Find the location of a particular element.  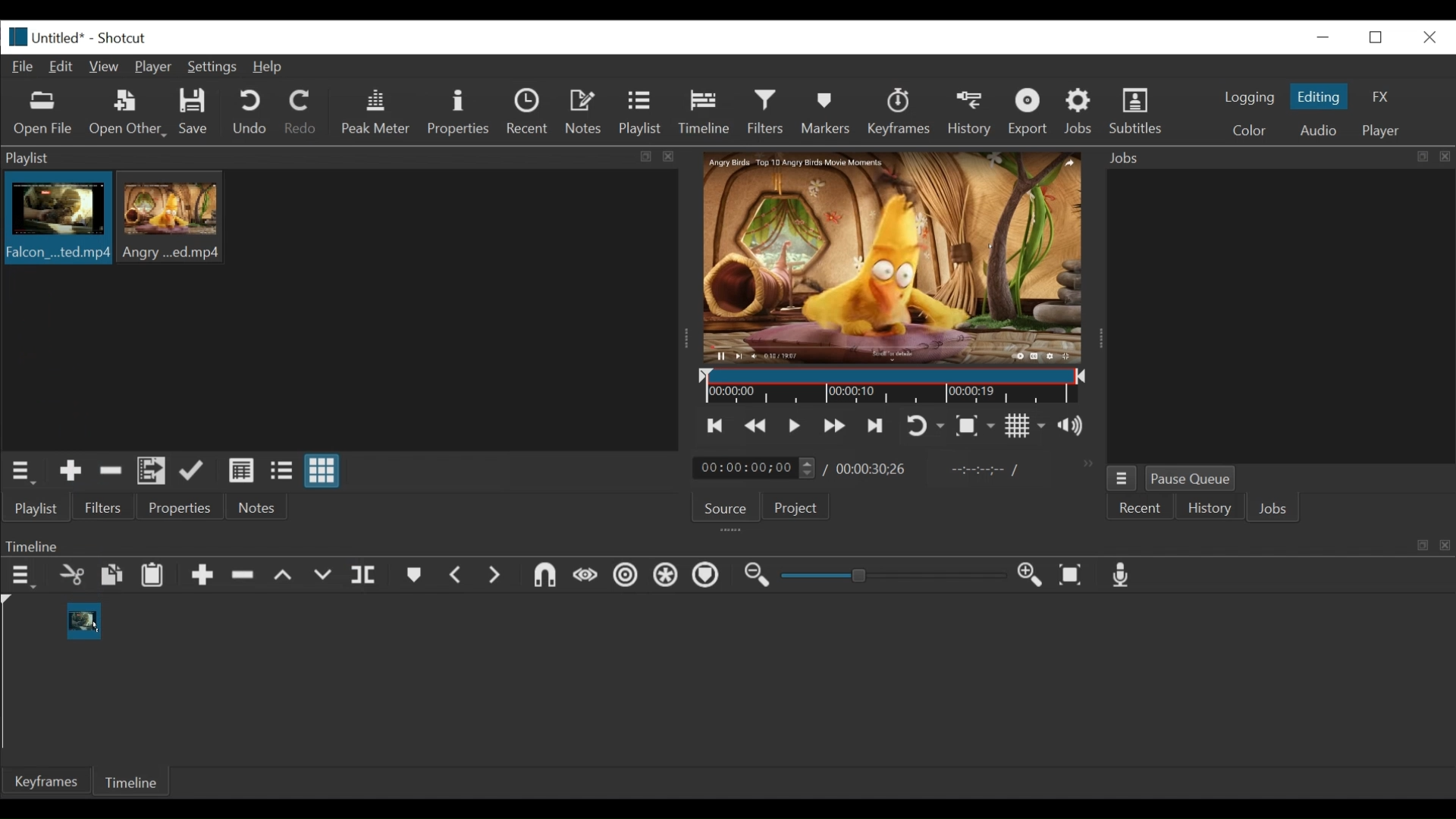

Remove cut is located at coordinates (245, 578).